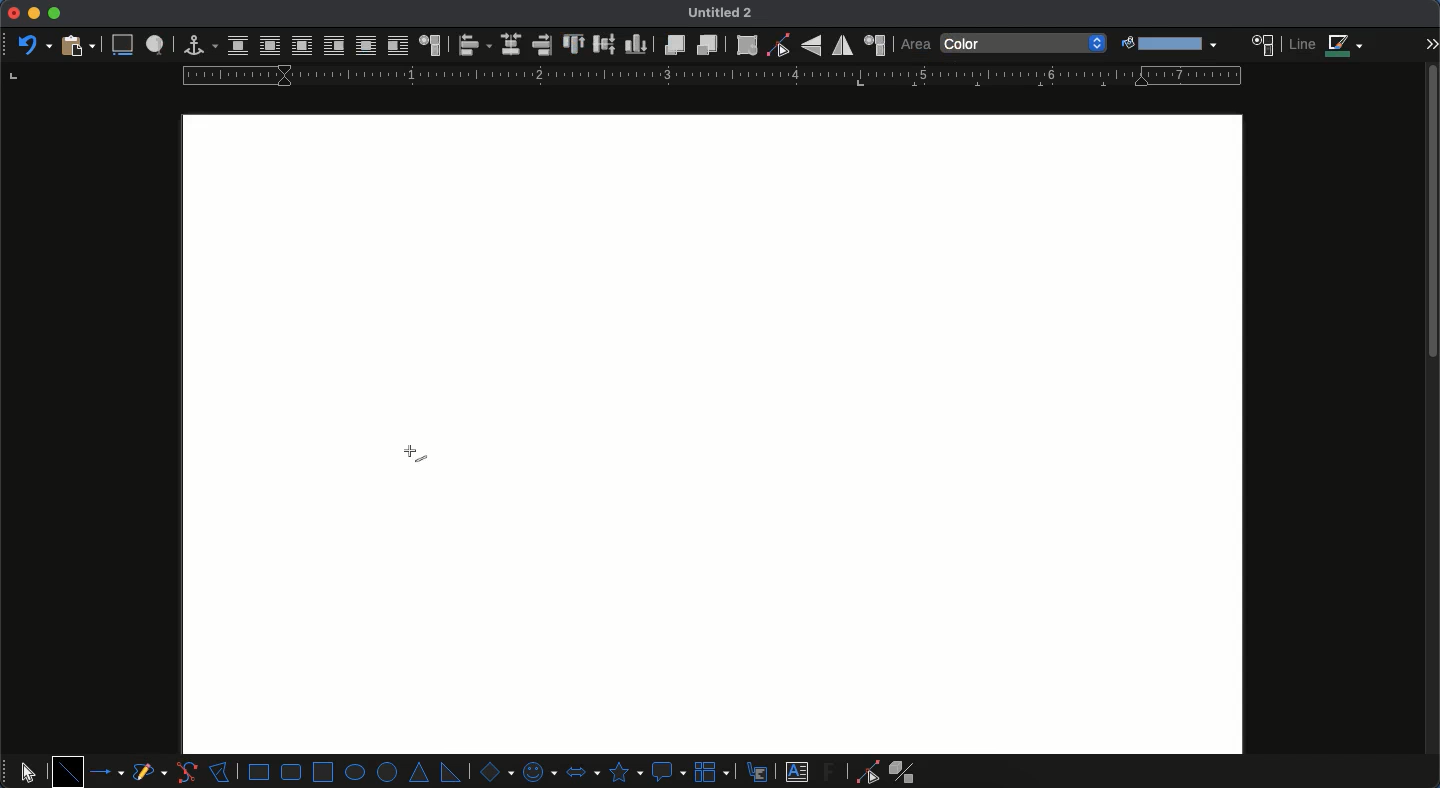 The height and width of the screenshot is (788, 1440). What do you see at coordinates (355, 772) in the screenshot?
I see `ellipse` at bounding box center [355, 772].